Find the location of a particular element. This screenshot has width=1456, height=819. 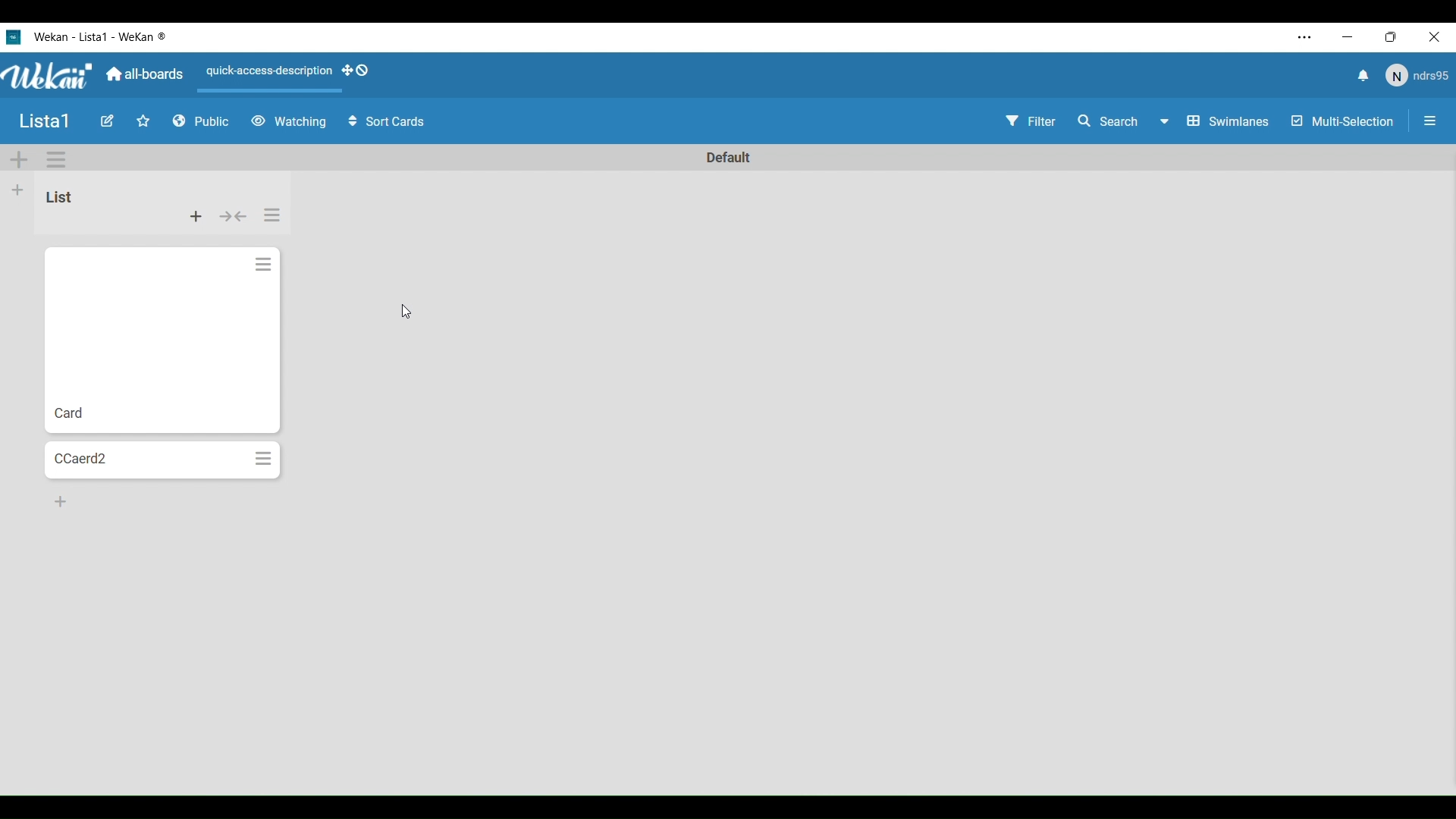

Settings is located at coordinates (274, 215).